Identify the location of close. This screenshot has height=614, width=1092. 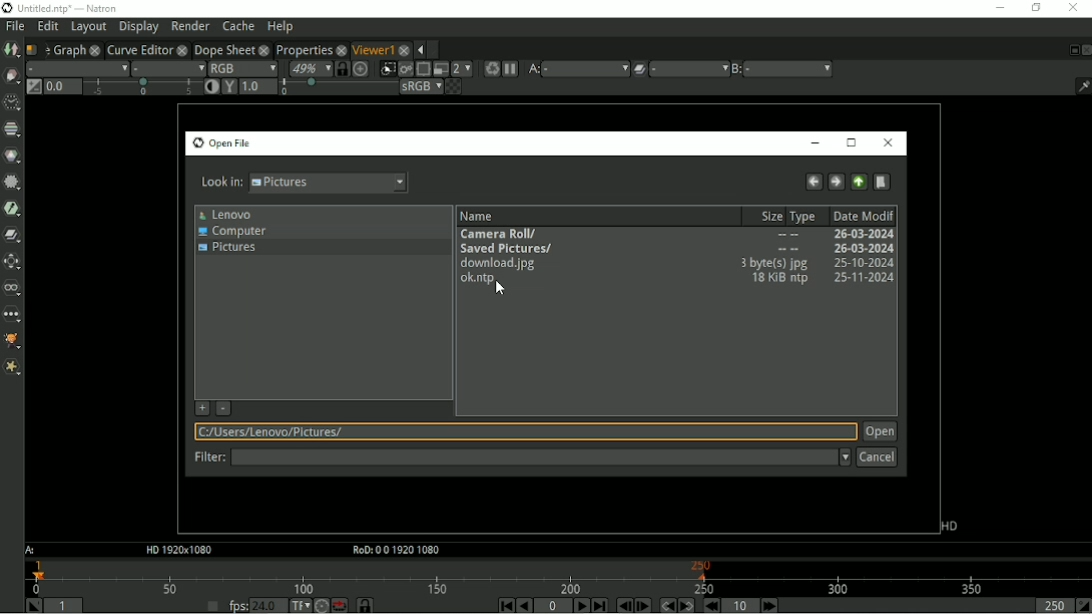
(341, 49).